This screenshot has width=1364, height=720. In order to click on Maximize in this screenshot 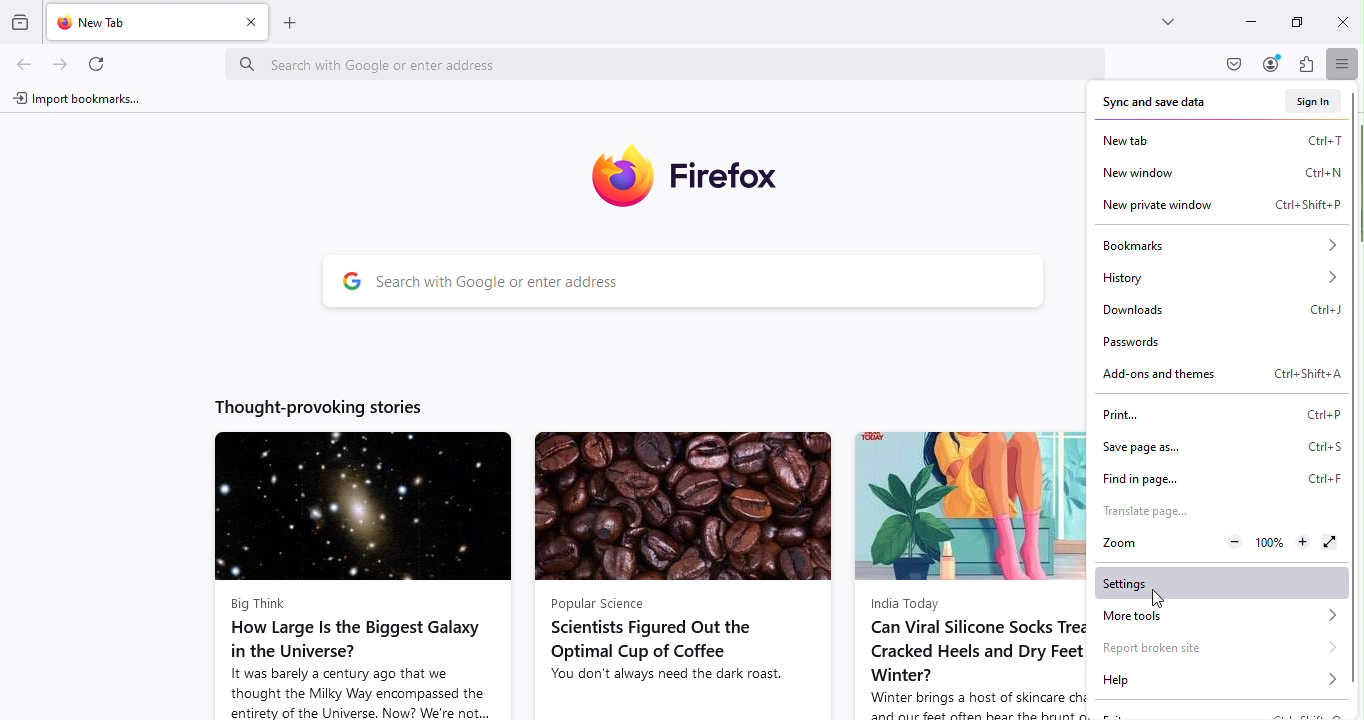, I will do `click(1294, 20)`.